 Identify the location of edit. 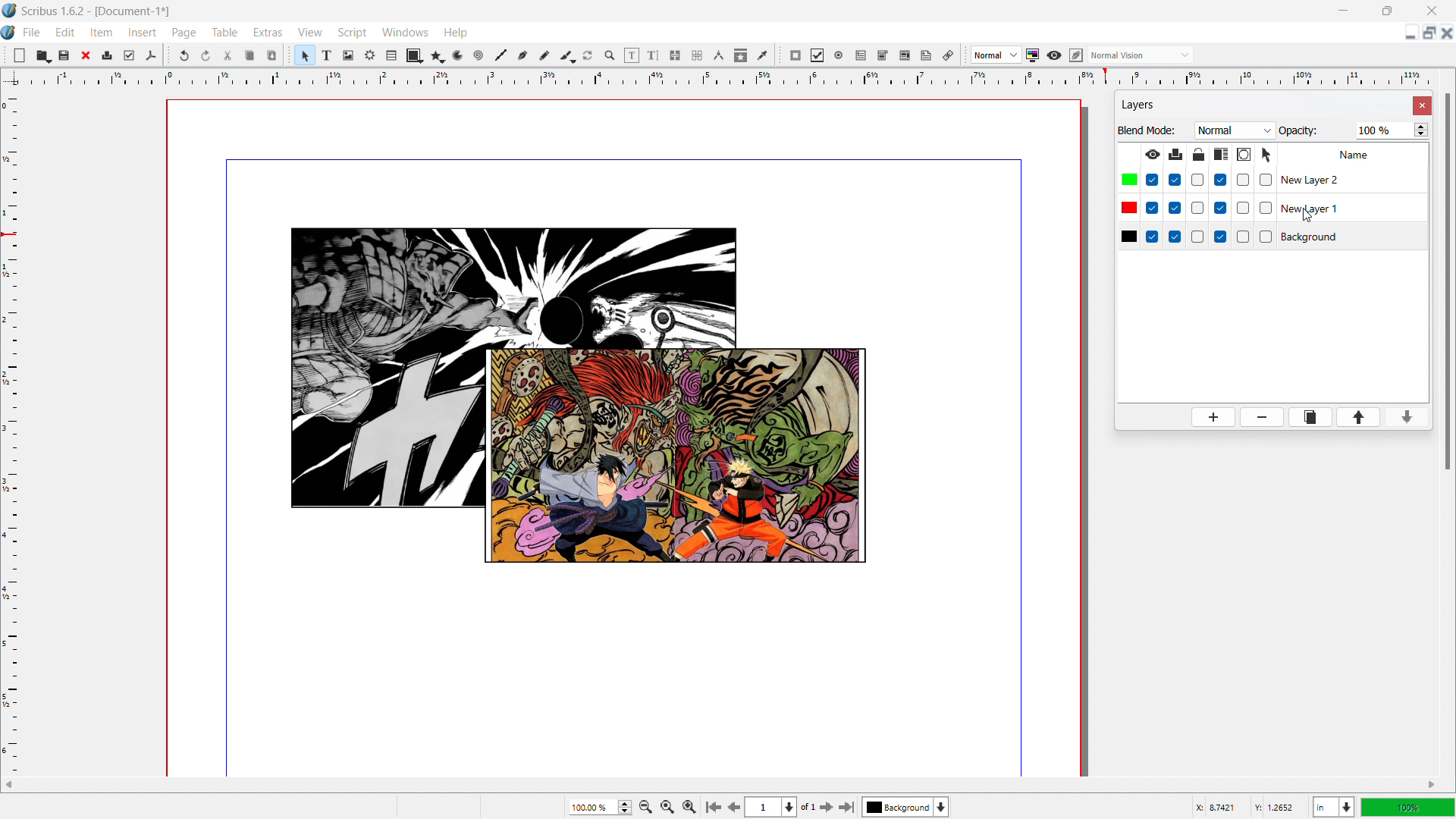
(67, 33).